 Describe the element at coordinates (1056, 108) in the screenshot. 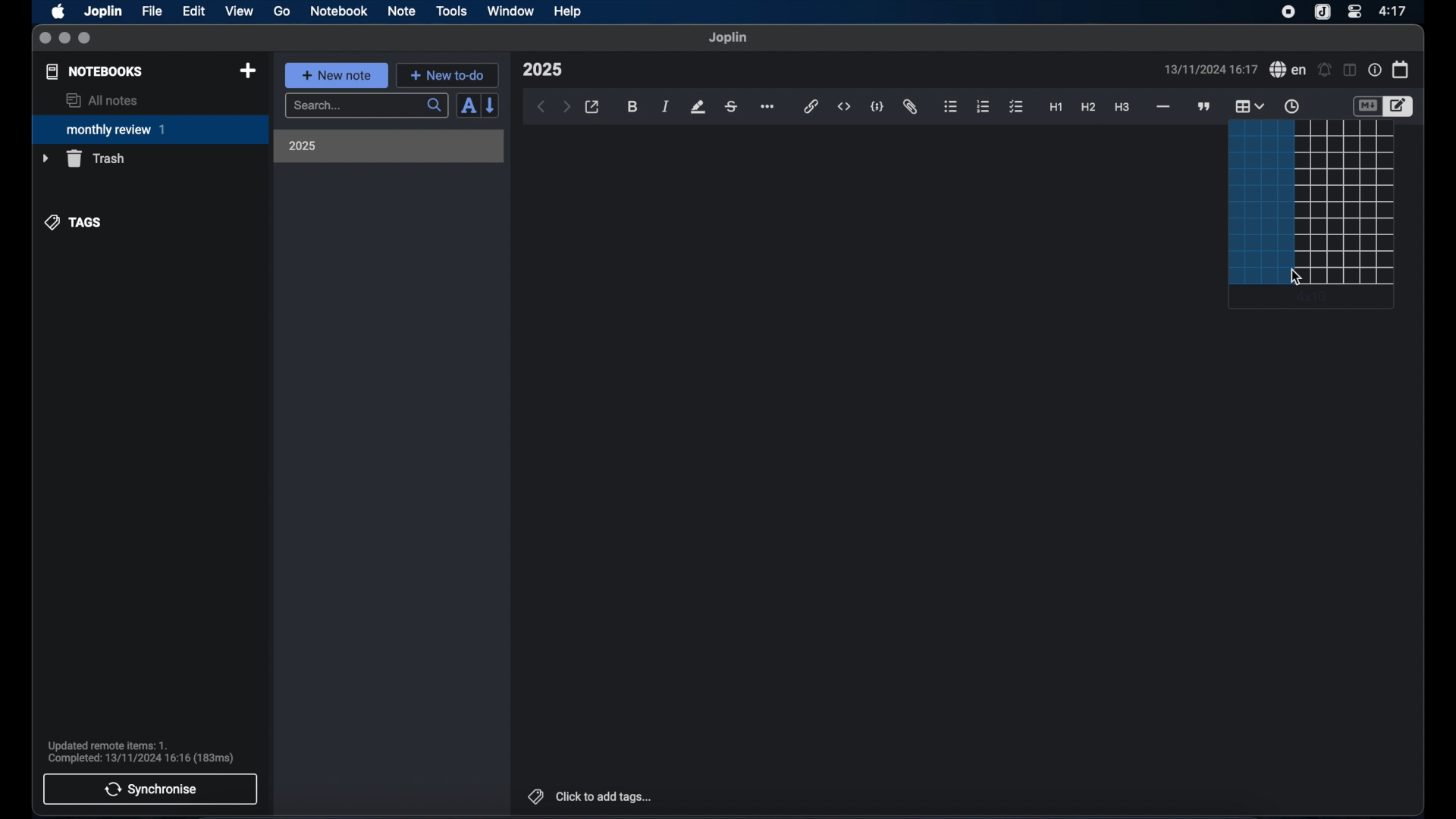

I see `heading 1` at that location.